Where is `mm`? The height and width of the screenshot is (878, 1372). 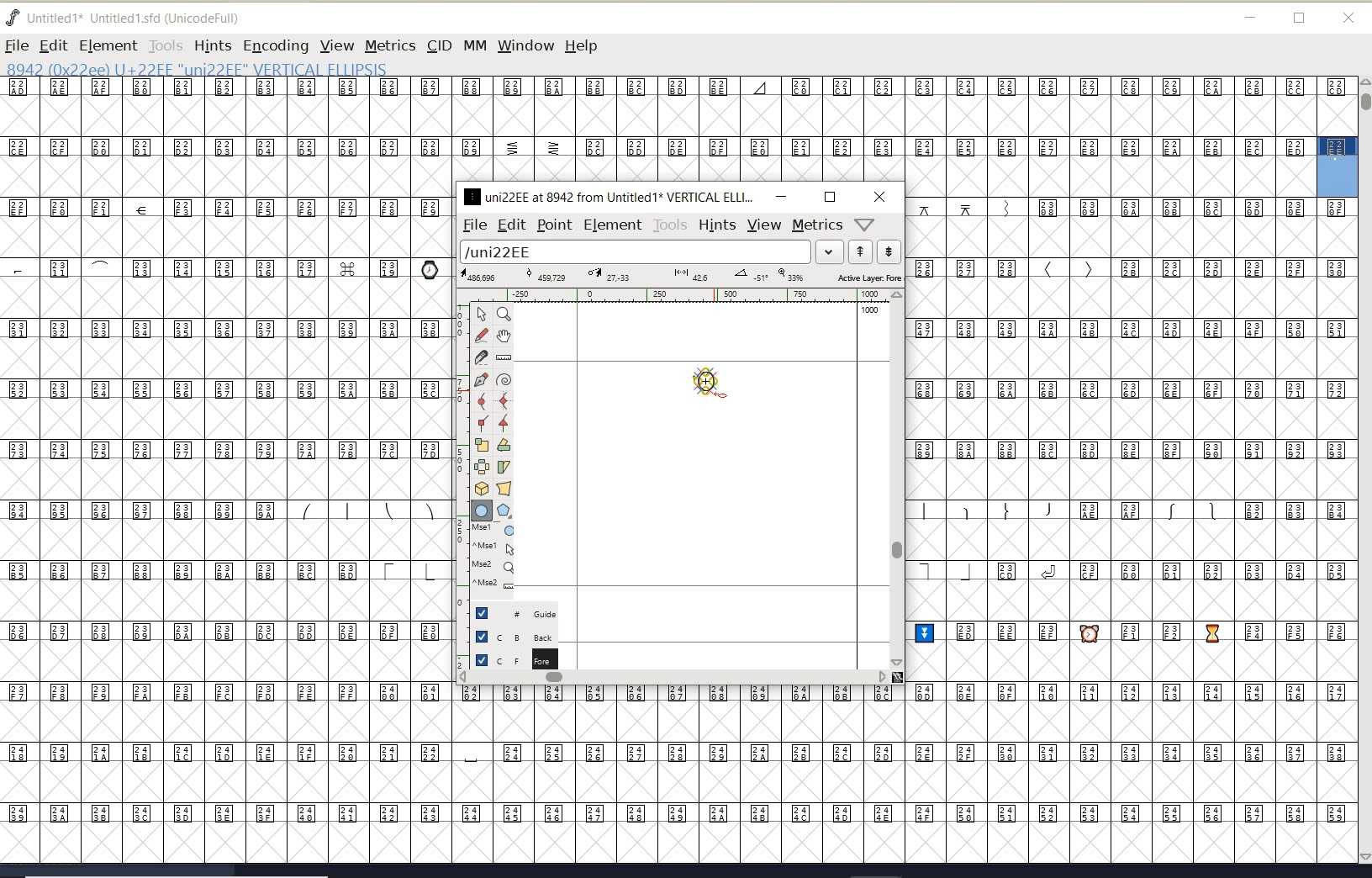 mm is located at coordinates (473, 43).